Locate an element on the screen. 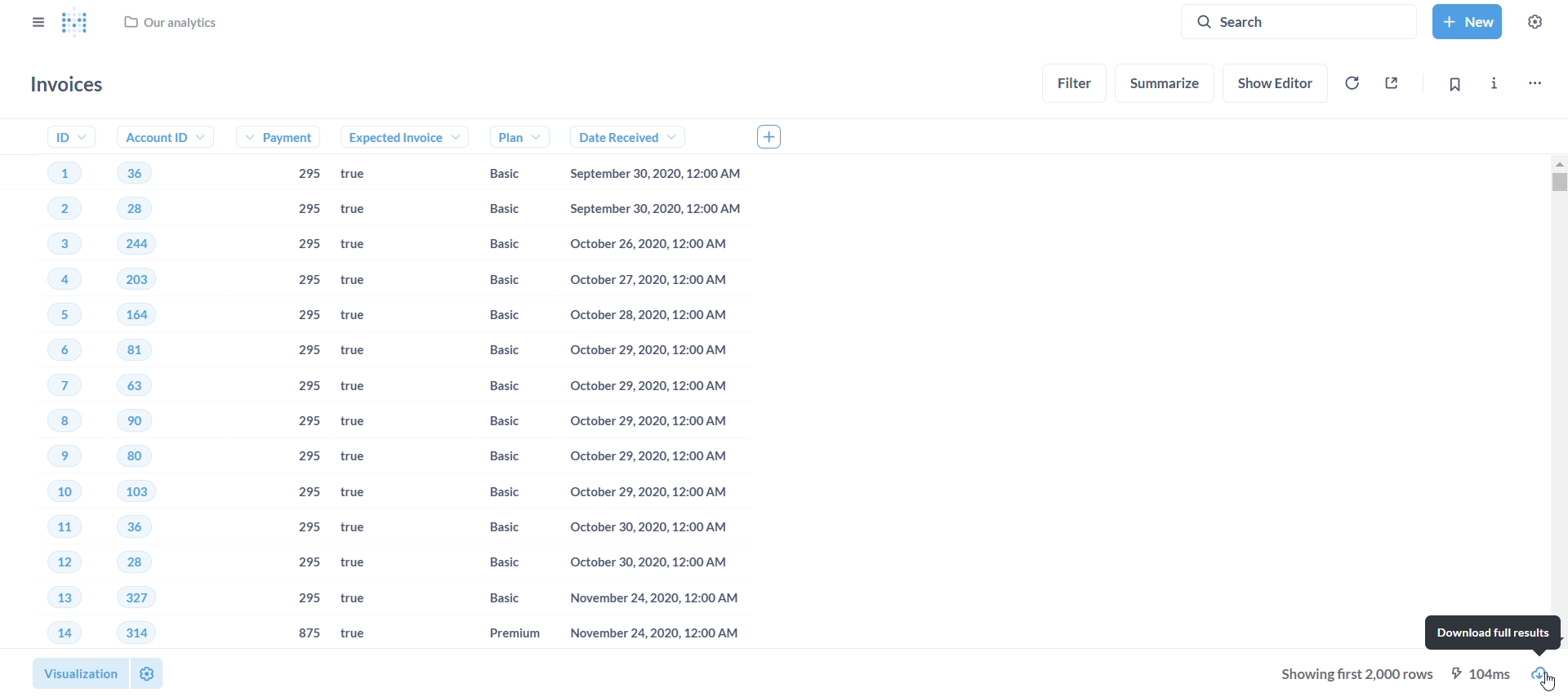  295 is located at coordinates (310, 388).